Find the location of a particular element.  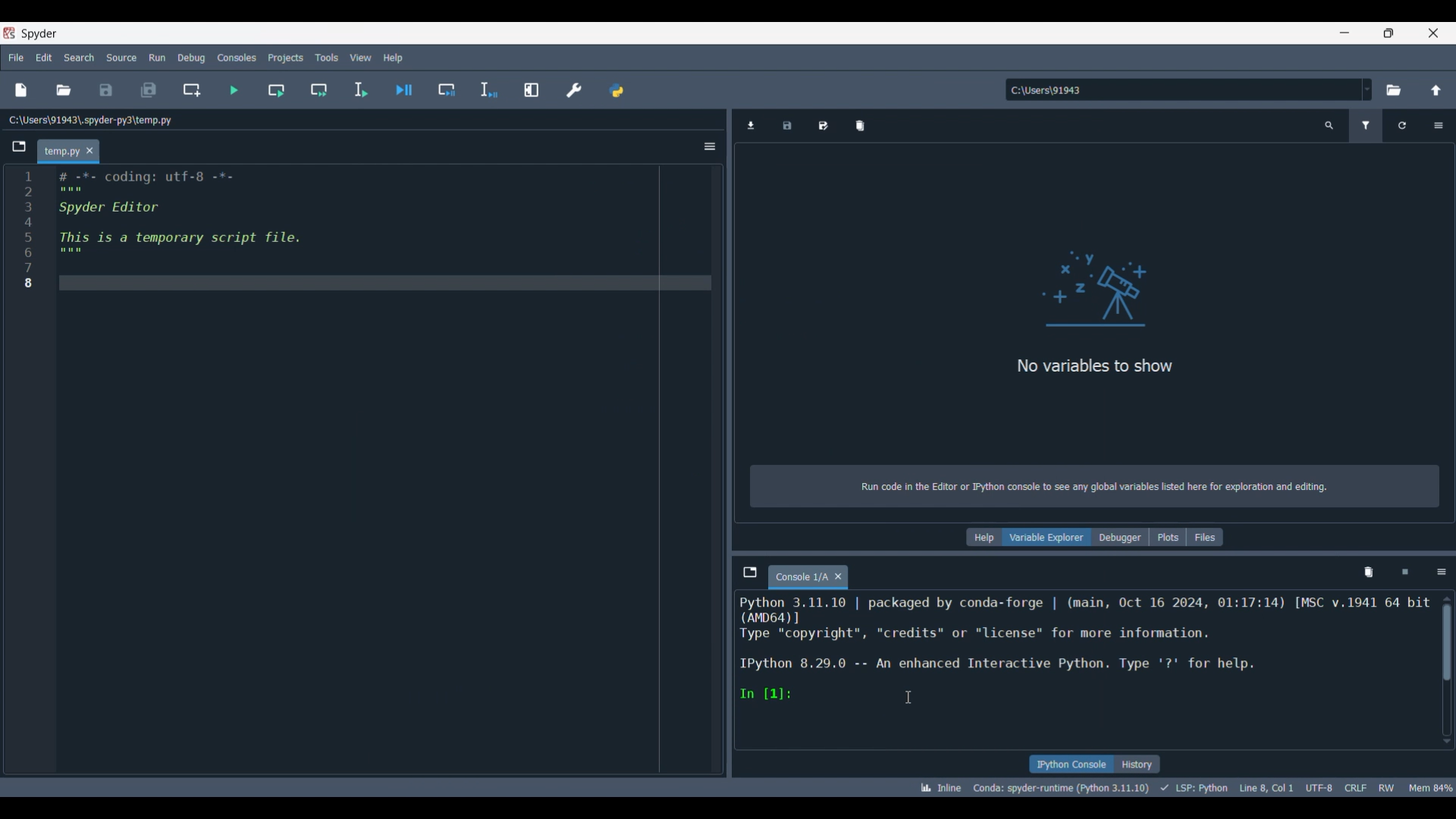

Create new cell at current line is located at coordinates (191, 90).